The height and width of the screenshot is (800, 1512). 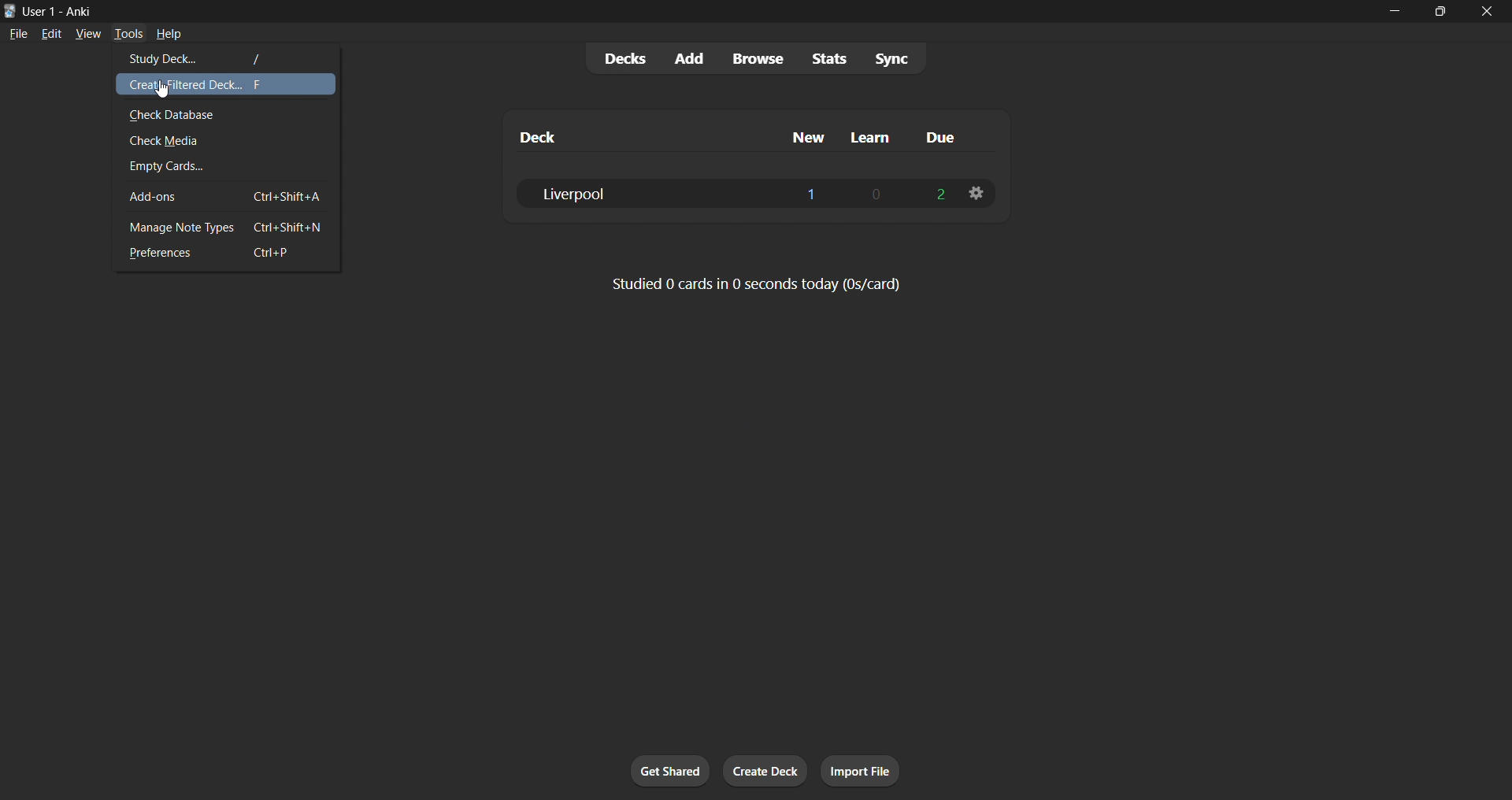 What do you see at coordinates (9, 11) in the screenshot?
I see `Anki` at bounding box center [9, 11].